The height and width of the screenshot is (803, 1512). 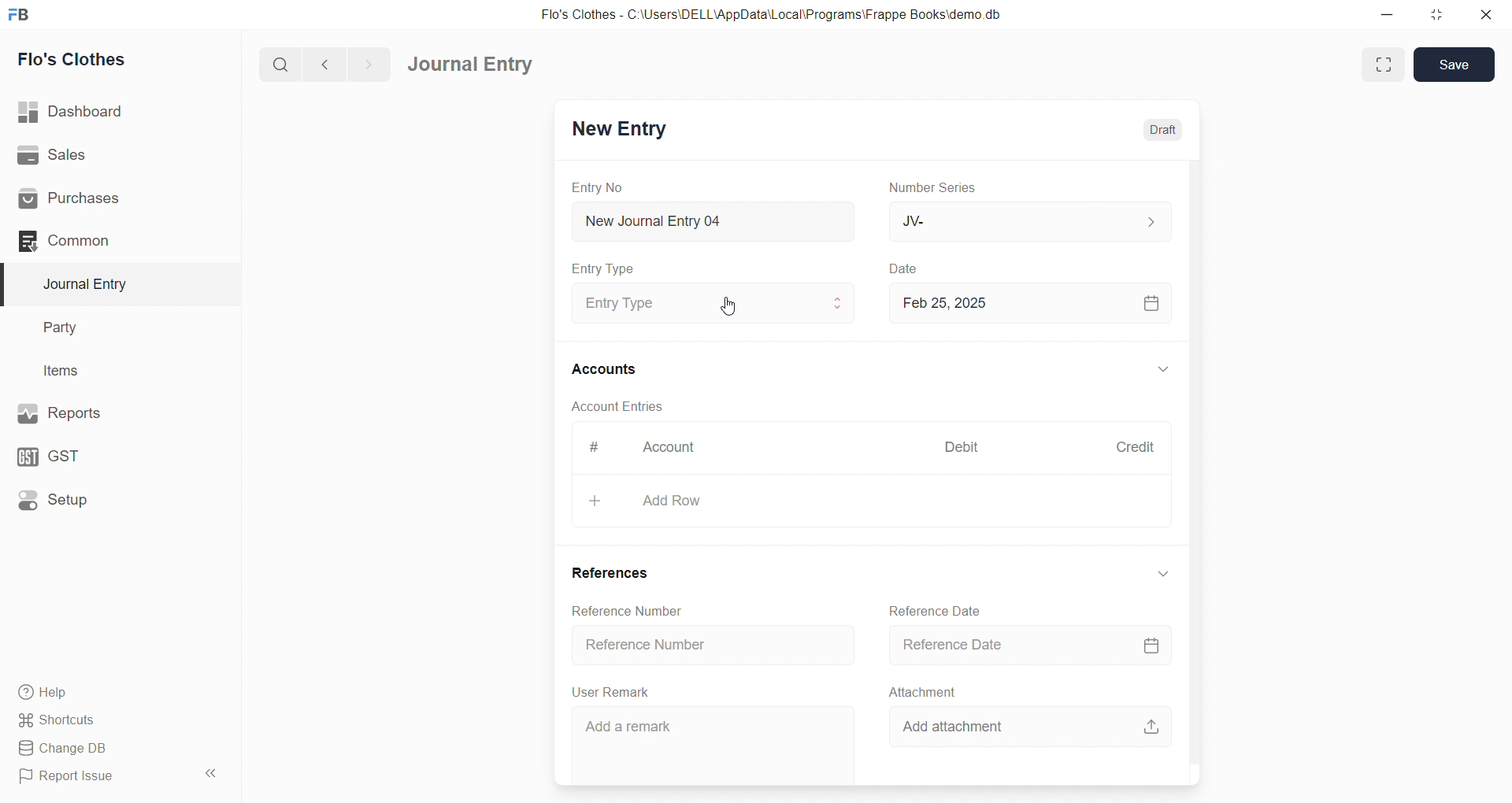 I want to click on Journal Entry, so click(x=476, y=65).